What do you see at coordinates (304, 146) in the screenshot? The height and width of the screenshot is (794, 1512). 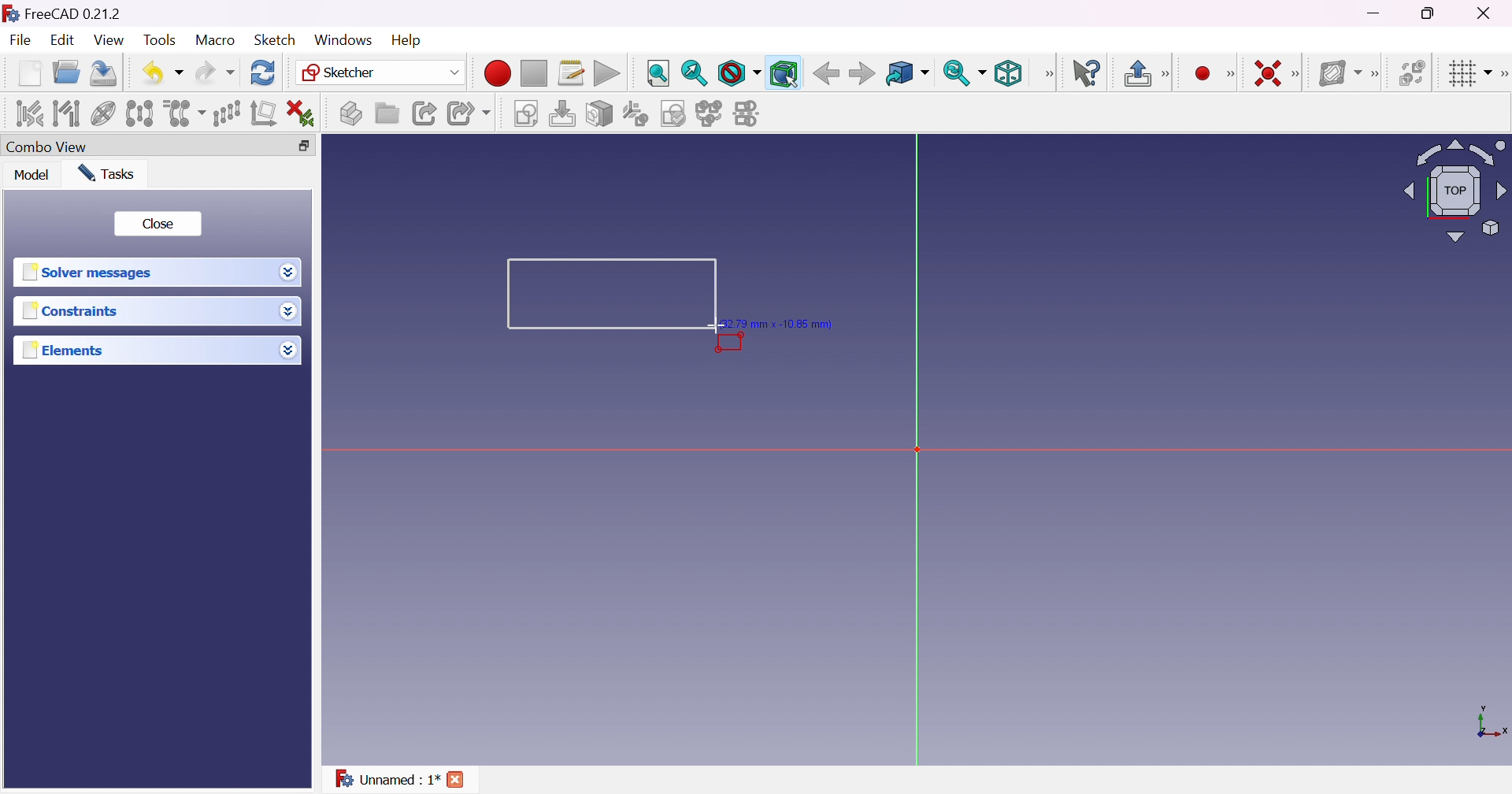 I see `Restore down` at bounding box center [304, 146].